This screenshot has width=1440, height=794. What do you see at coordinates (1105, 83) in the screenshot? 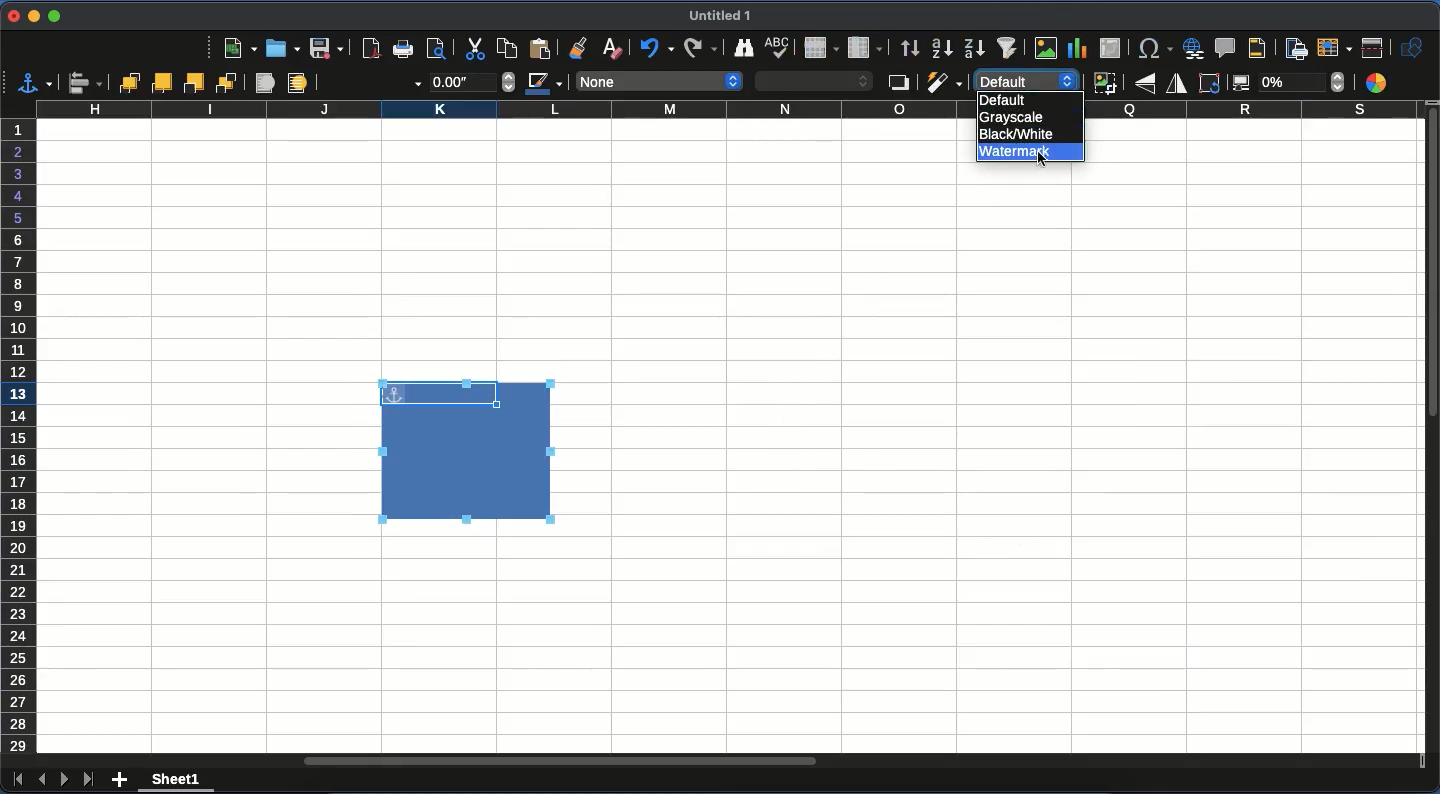
I see `crop image` at bounding box center [1105, 83].